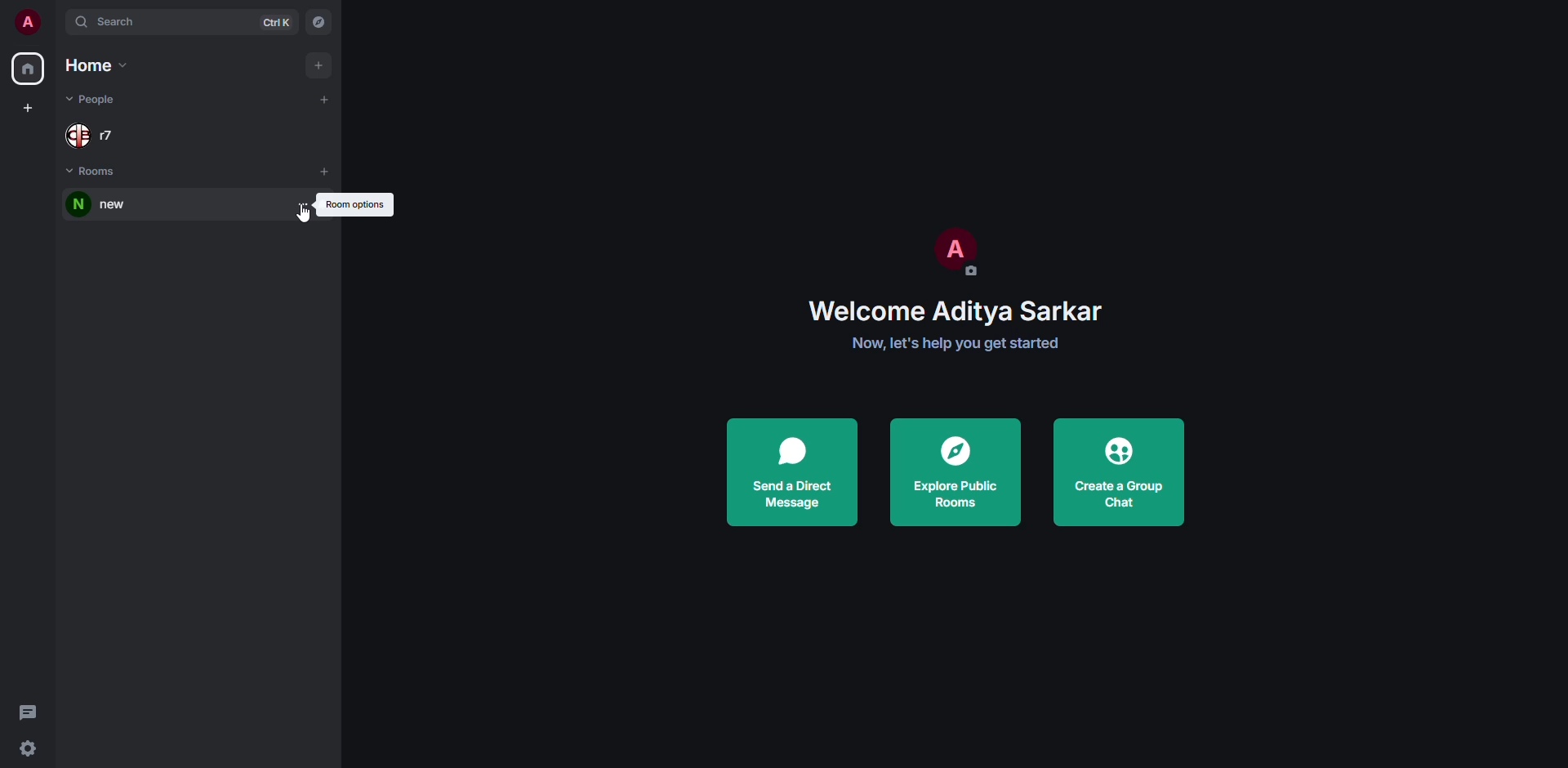 The image size is (1568, 768). I want to click on add, so click(325, 171).